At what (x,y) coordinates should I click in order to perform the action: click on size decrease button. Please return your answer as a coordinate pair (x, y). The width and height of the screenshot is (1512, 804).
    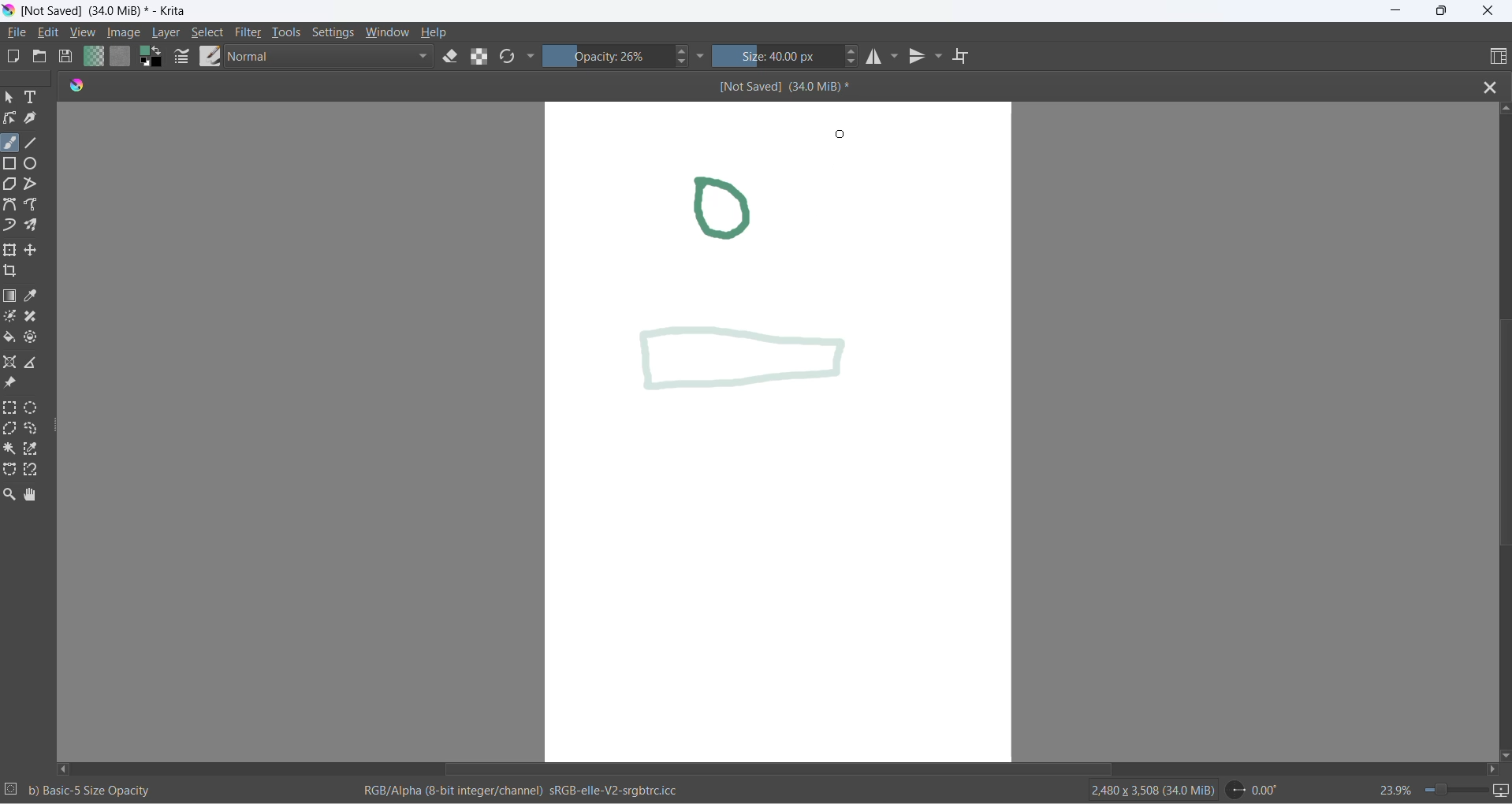
    Looking at the image, I should click on (855, 65).